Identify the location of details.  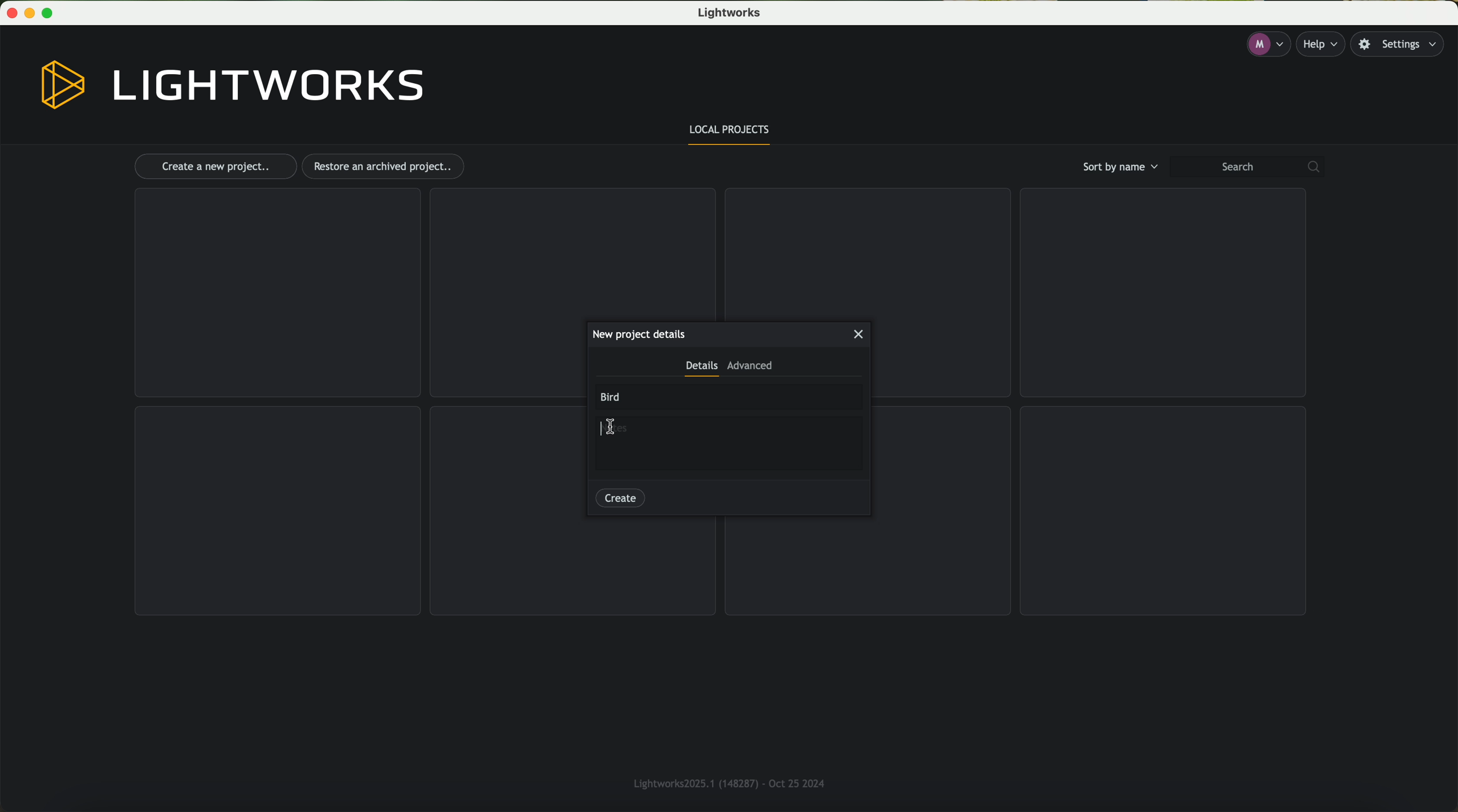
(701, 369).